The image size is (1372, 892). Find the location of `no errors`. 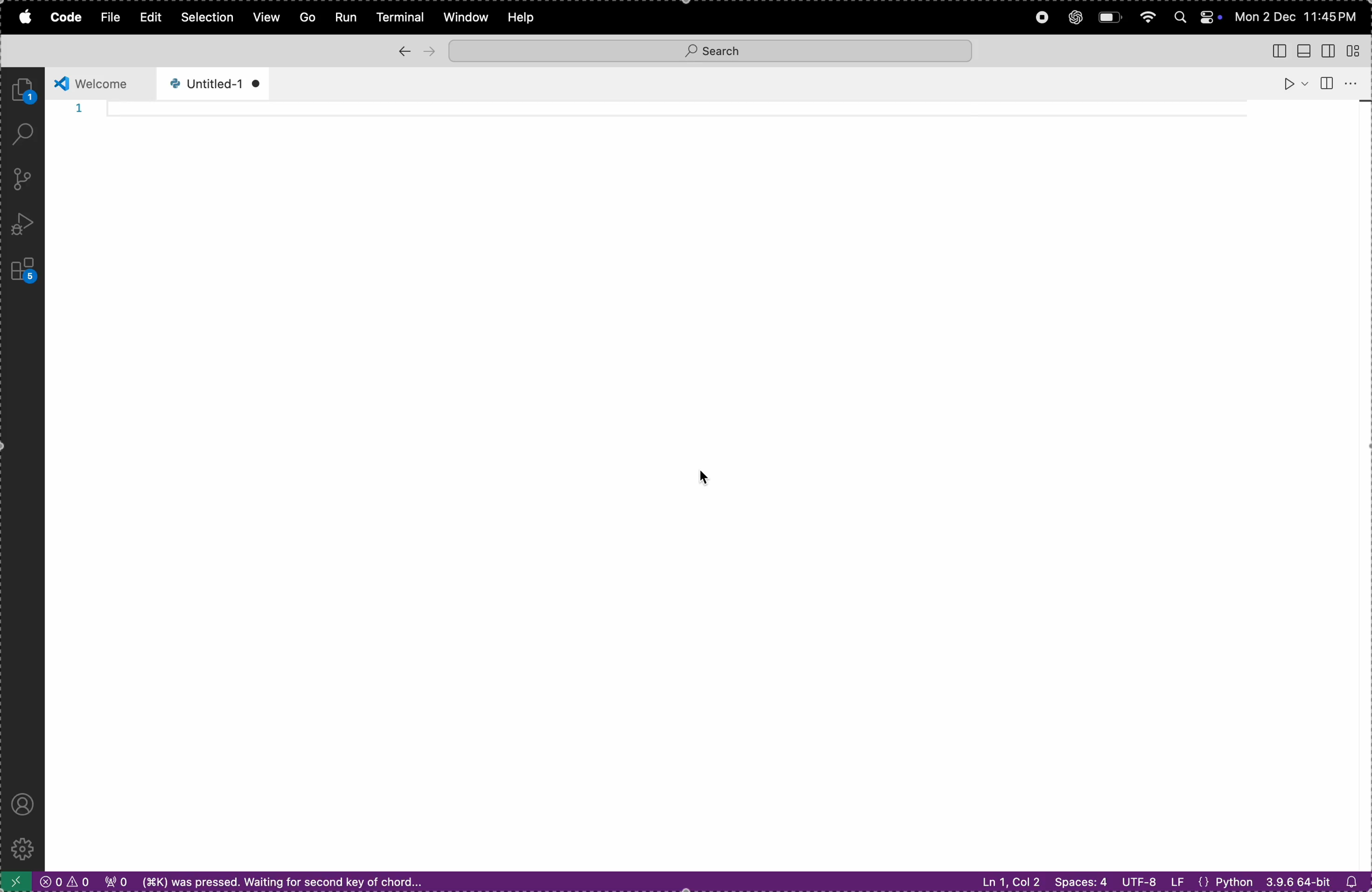

no errors is located at coordinates (62, 882).